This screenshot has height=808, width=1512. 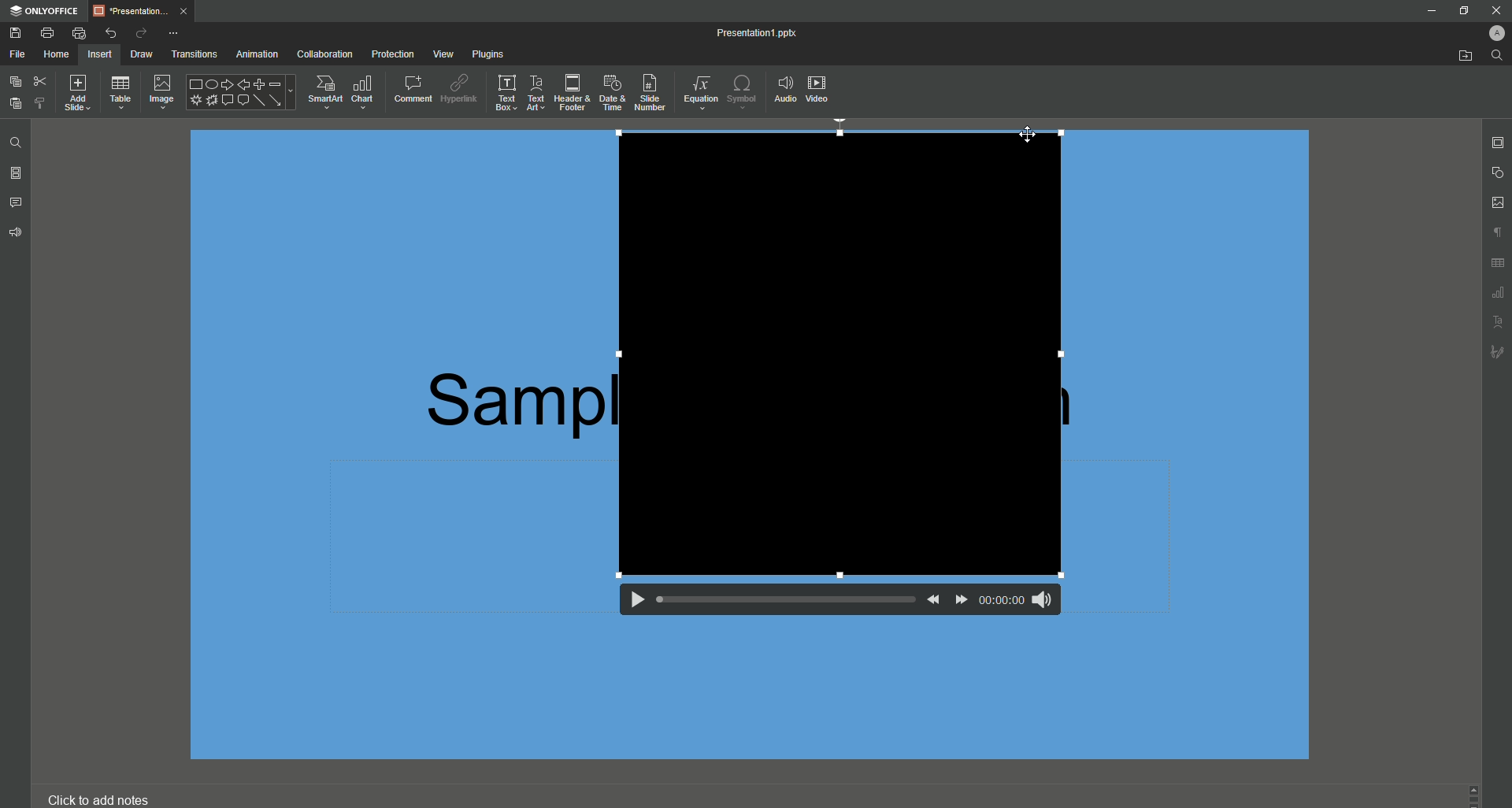 What do you see at coordinates (14, 81) in the screenshot?
I see `Copy` at bounding box center [14, 81].